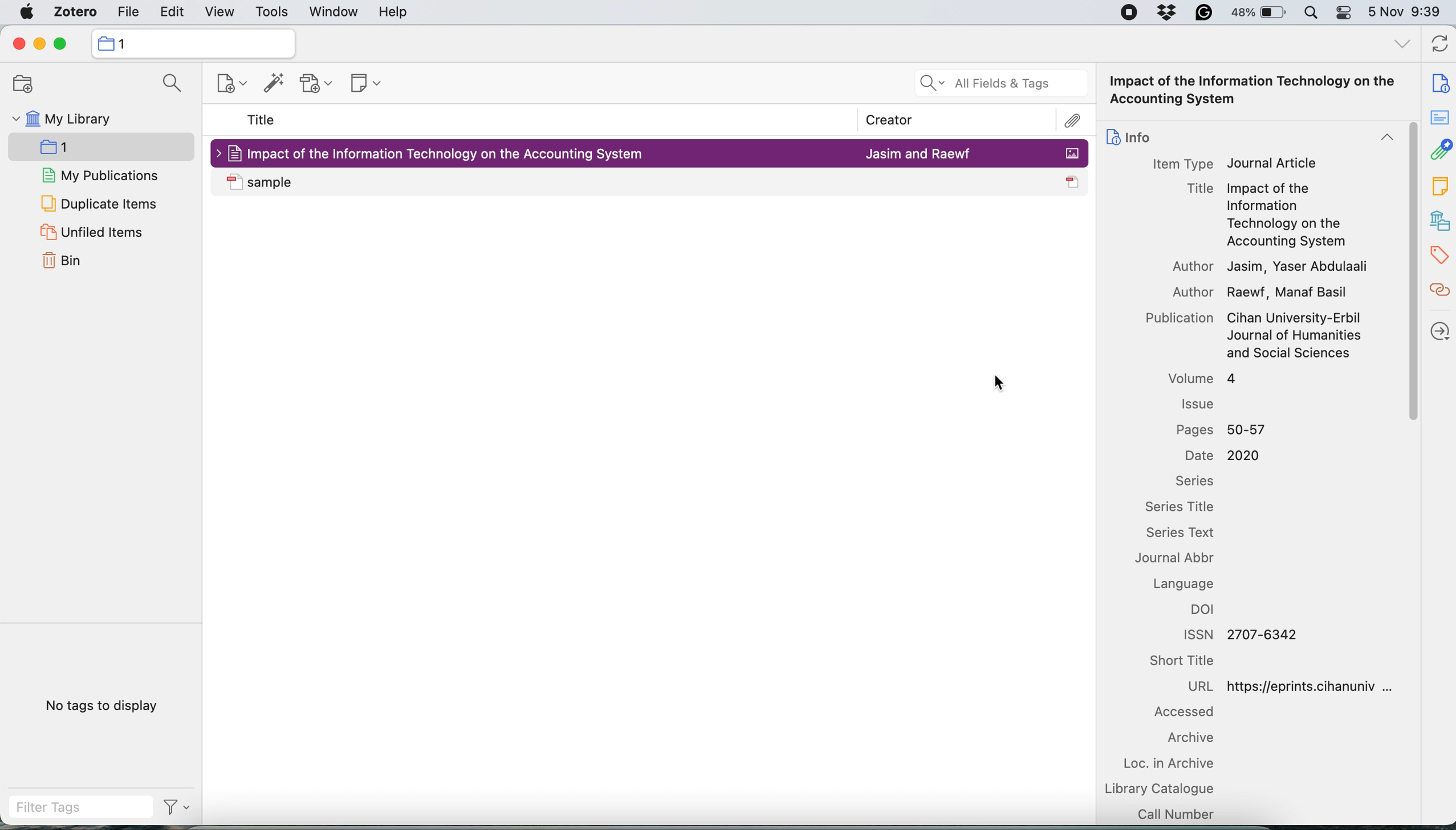 The height and width of the screenshot is (830, 1456). What do you see at coordinates (1162, 789) in the screenshot?
I see `library catalogue` at bounding box center [1162, 789].